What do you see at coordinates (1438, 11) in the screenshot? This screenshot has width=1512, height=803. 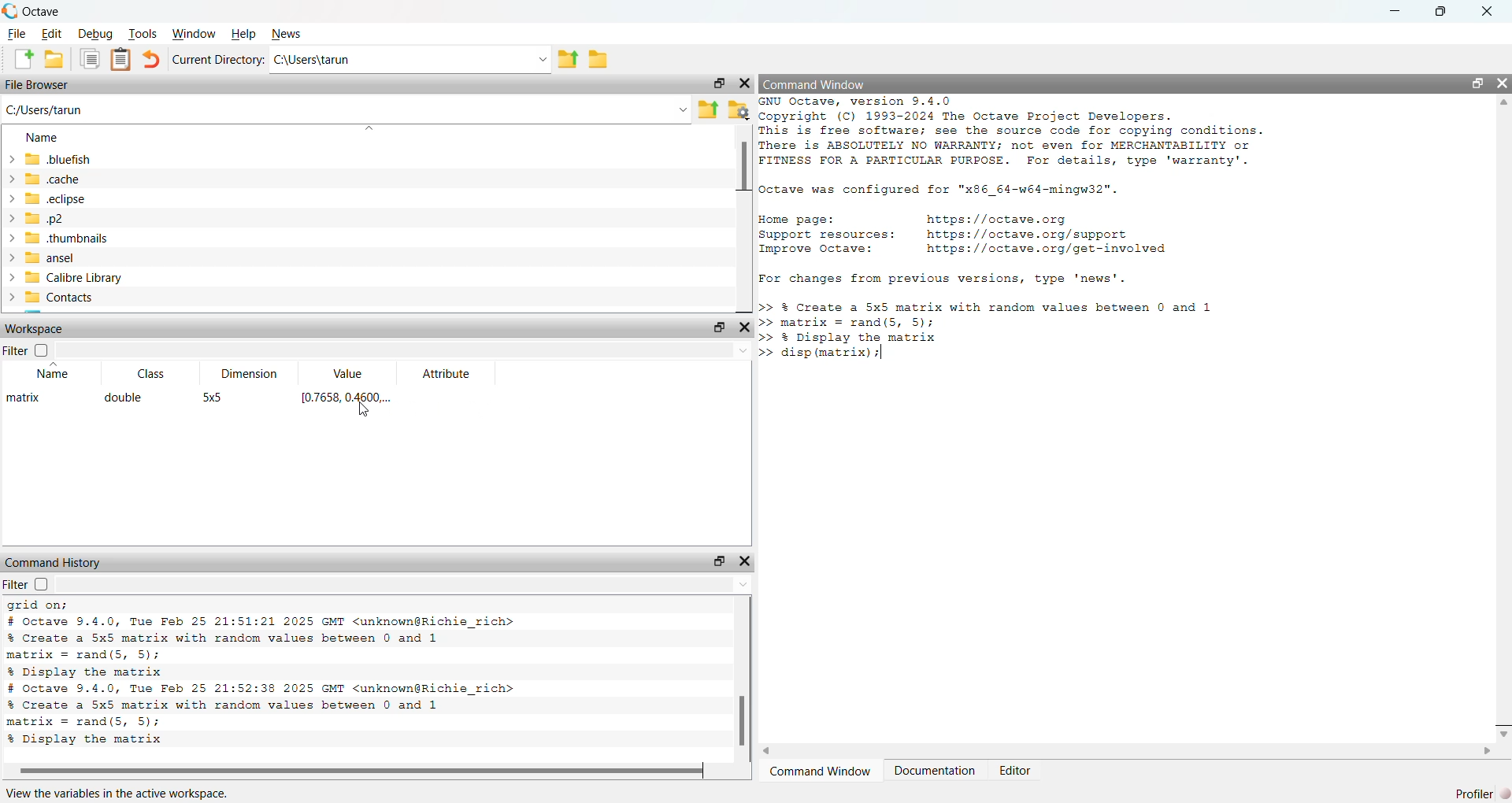 I see `maximise` at bounding box center [1438, 11].